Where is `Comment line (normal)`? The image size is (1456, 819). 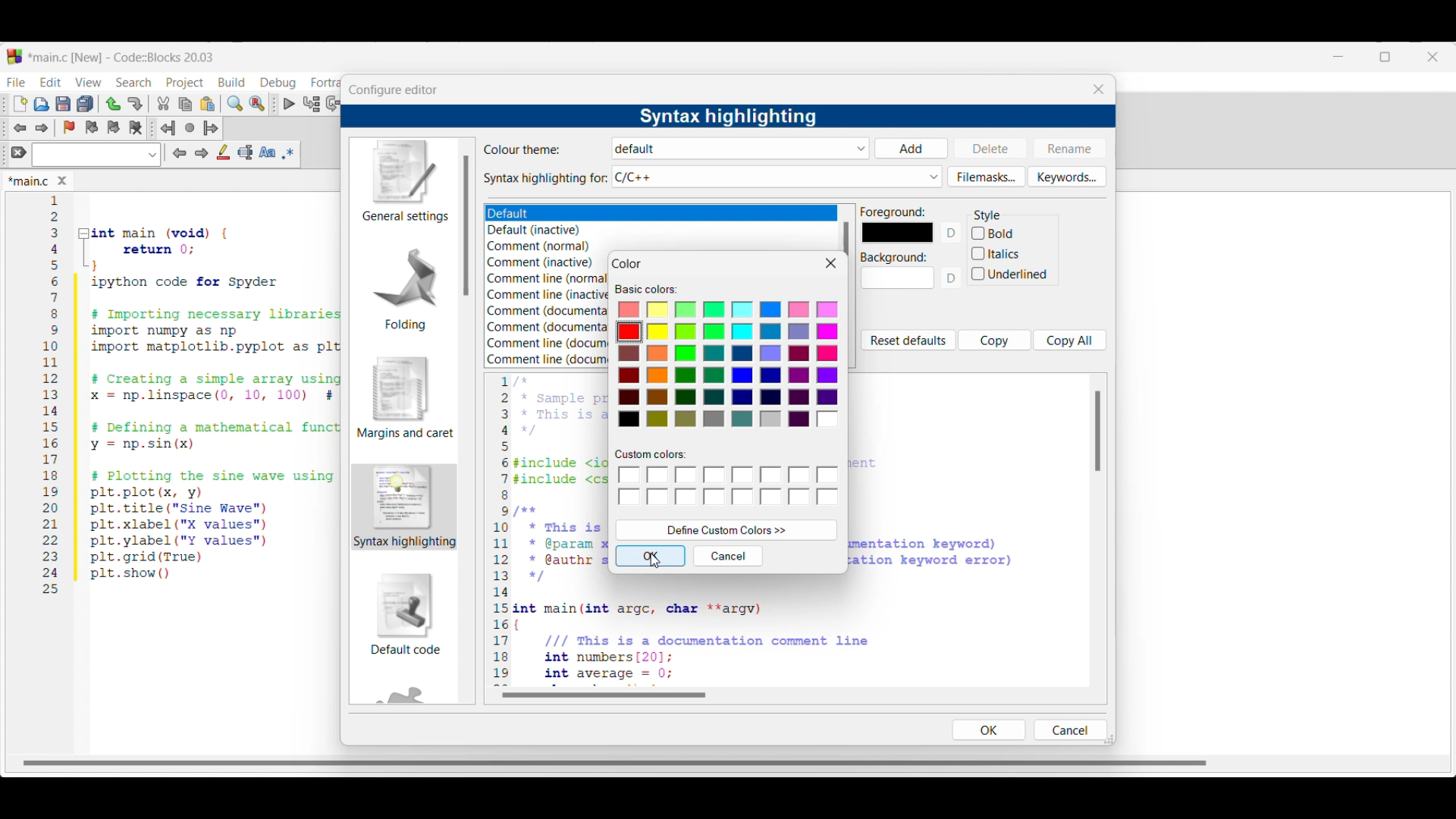 Comment line (normal) is located at coordinates (550, 278).